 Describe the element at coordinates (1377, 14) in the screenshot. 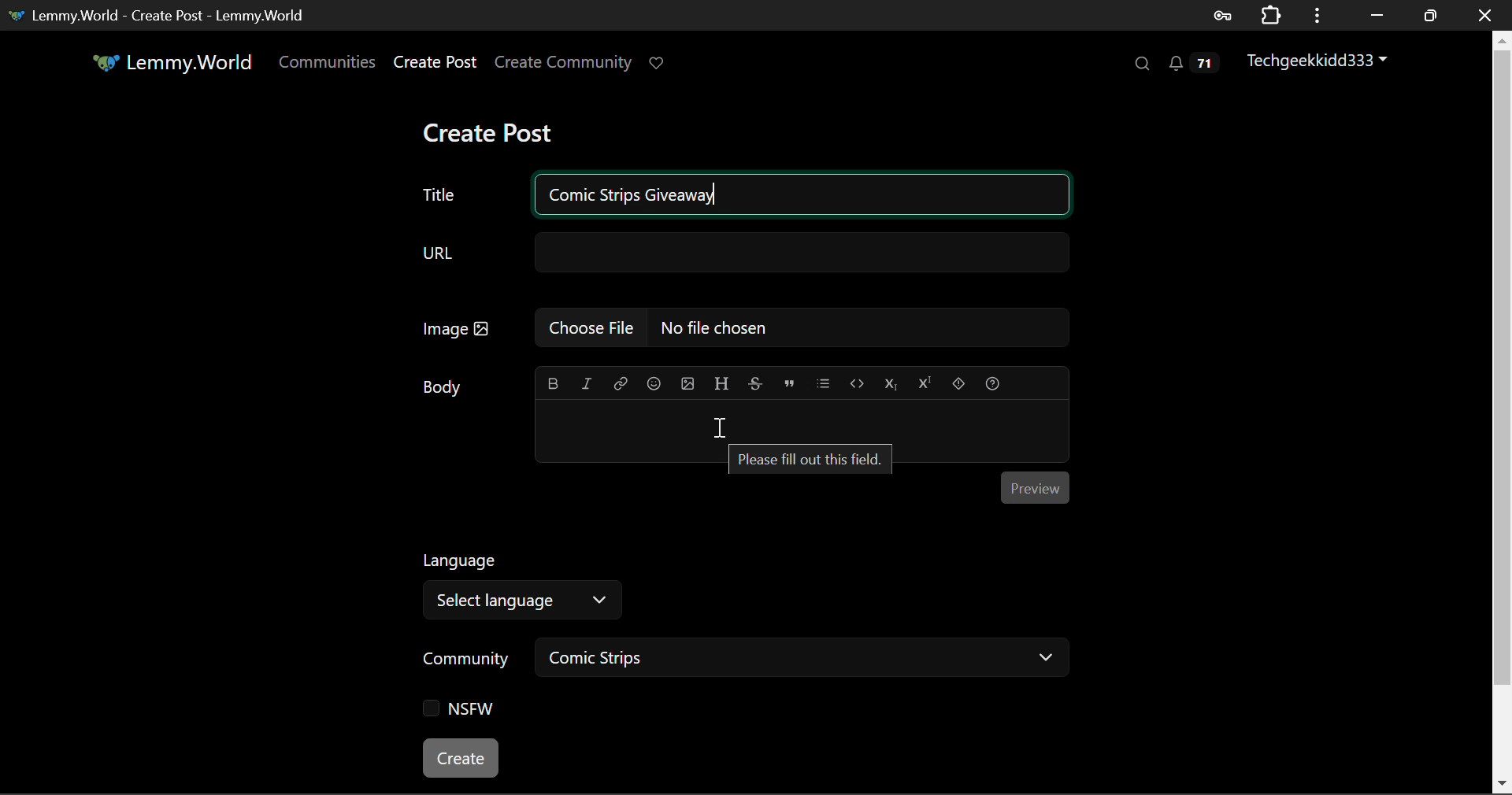

I see `Restore Down` at that location.